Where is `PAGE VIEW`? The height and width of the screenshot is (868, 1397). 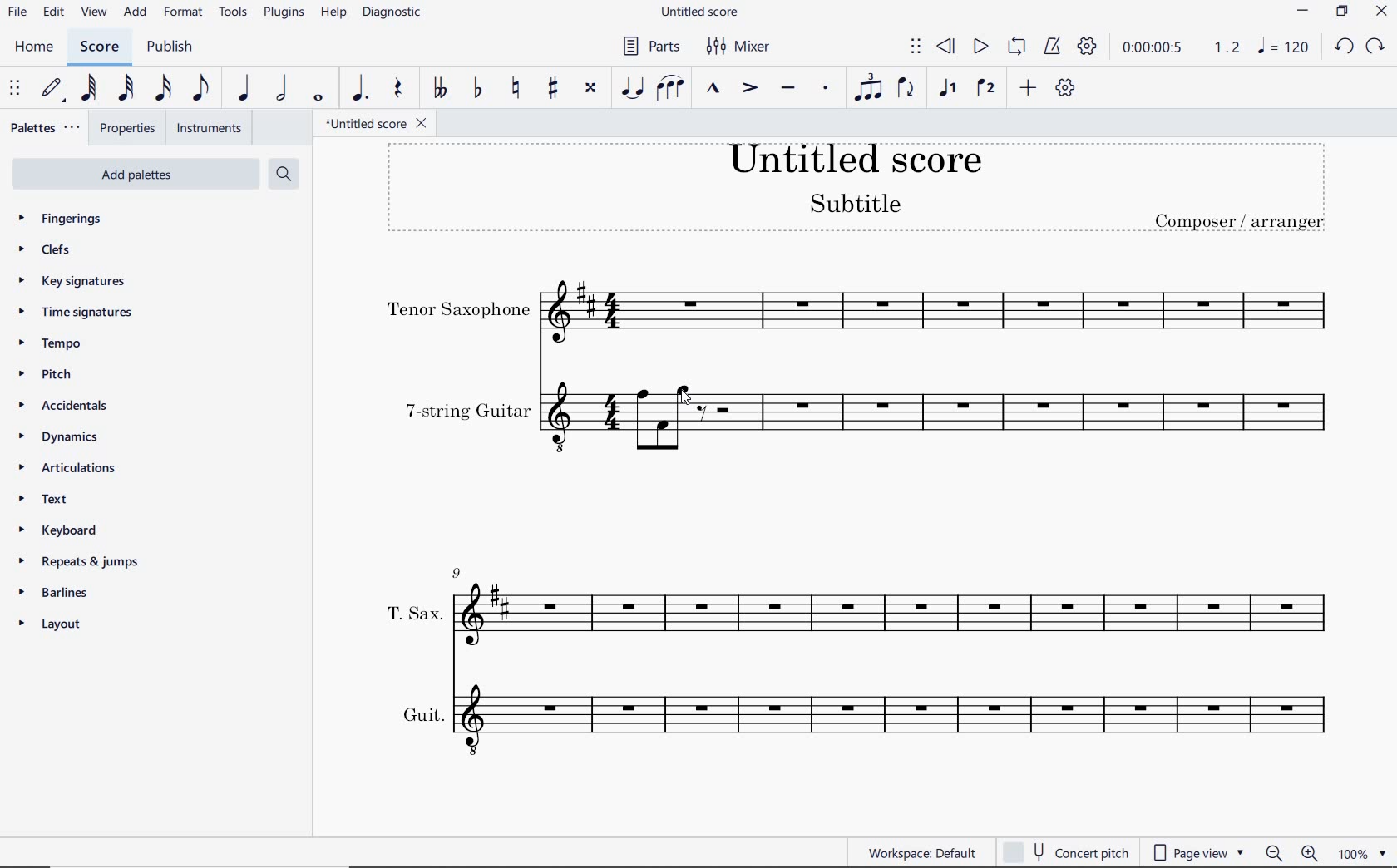 PAGE VIEW is located at coordinates (1197, 852).